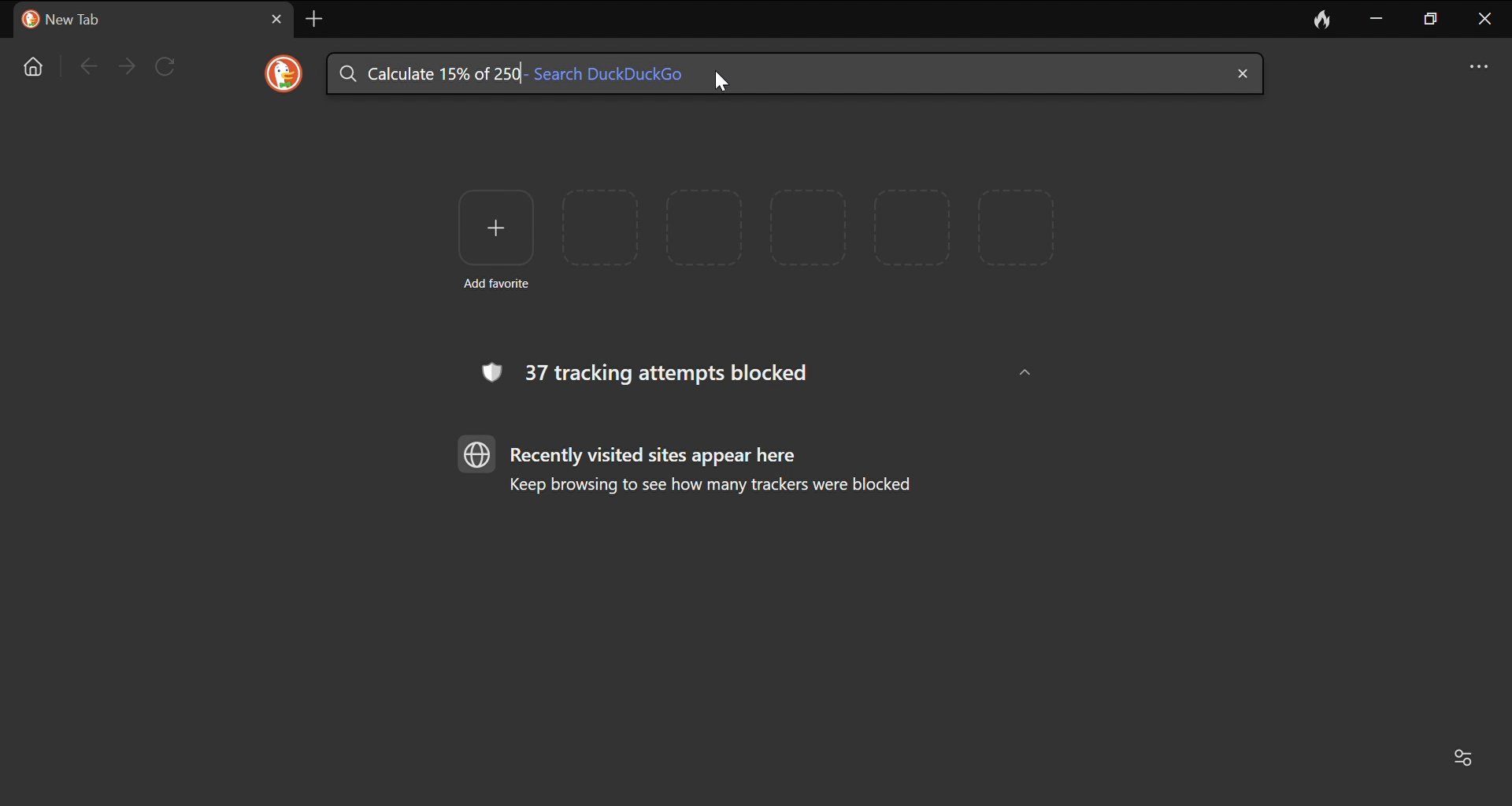 This screenshot has width=1512, height=806. Describe the element at coordinates (277, 19) in the screenshot. I see `Close current tab` at that location.